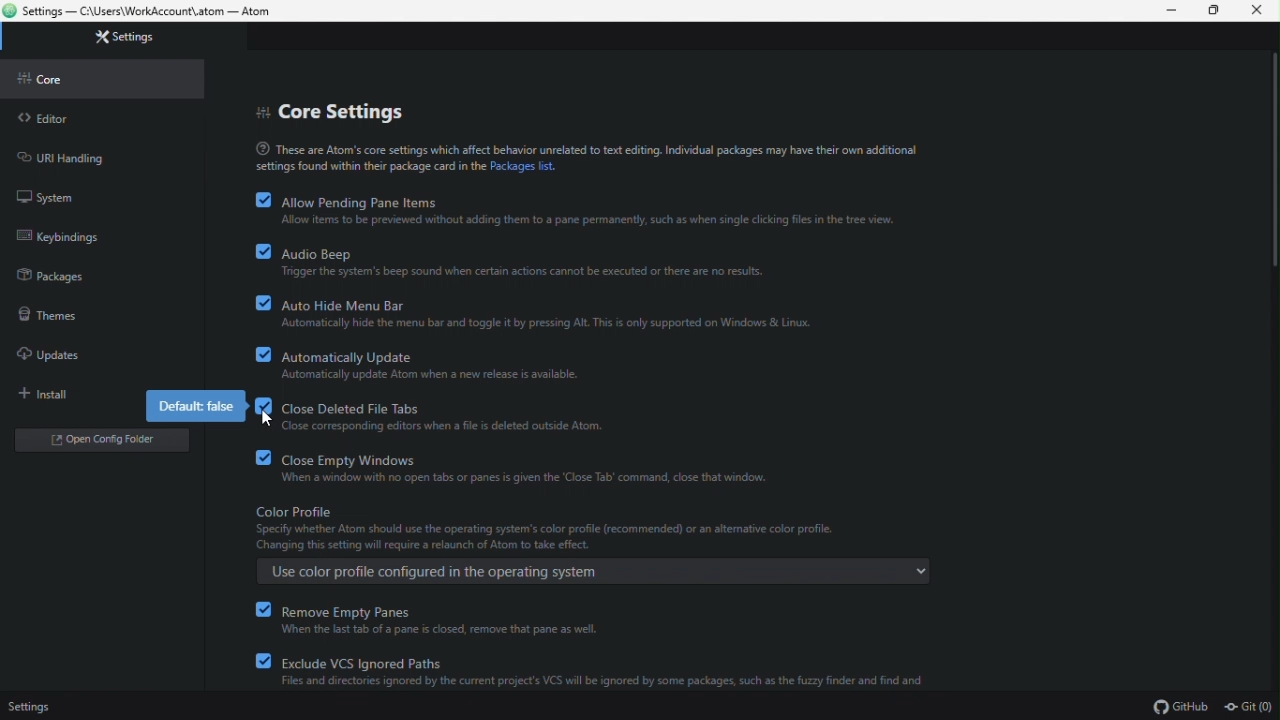  What do you see at coordinates (556, 310) in the screenshot?
I see `auto hide menu barf` at bounding box center [556, 310].